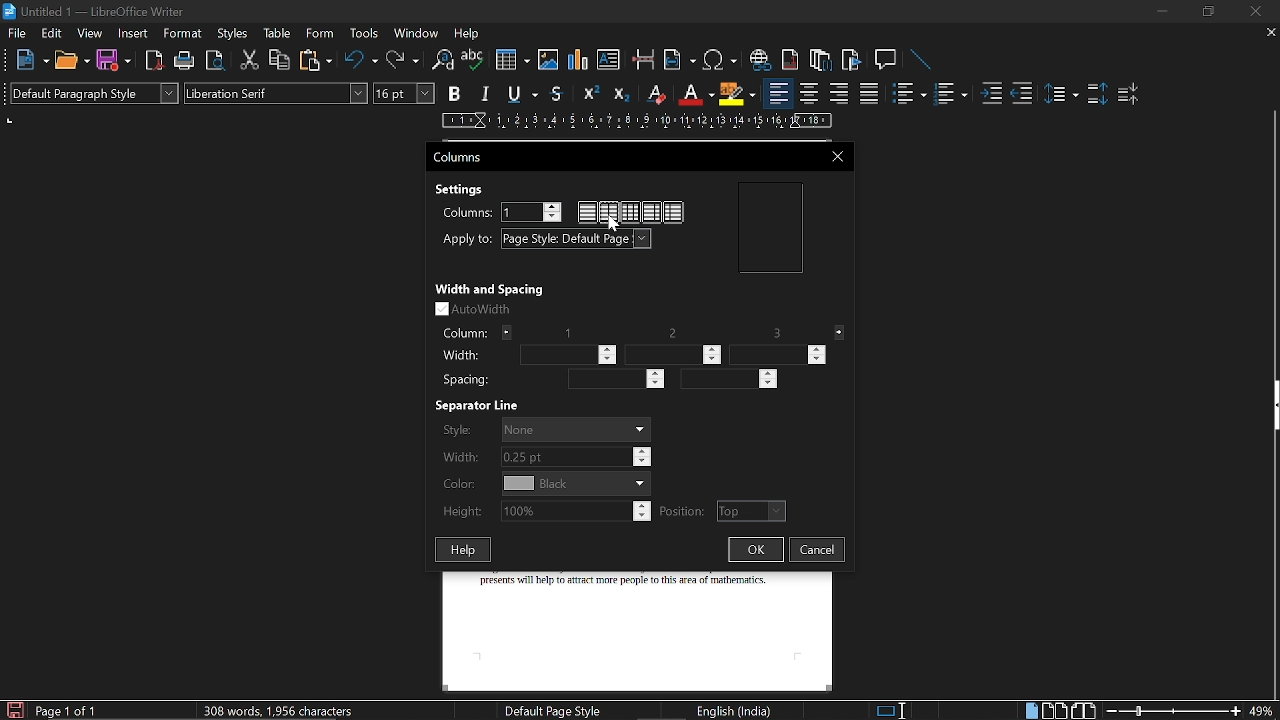 This screenshot has height=720, width=1280. I want to click on Close, so click(838, 156).